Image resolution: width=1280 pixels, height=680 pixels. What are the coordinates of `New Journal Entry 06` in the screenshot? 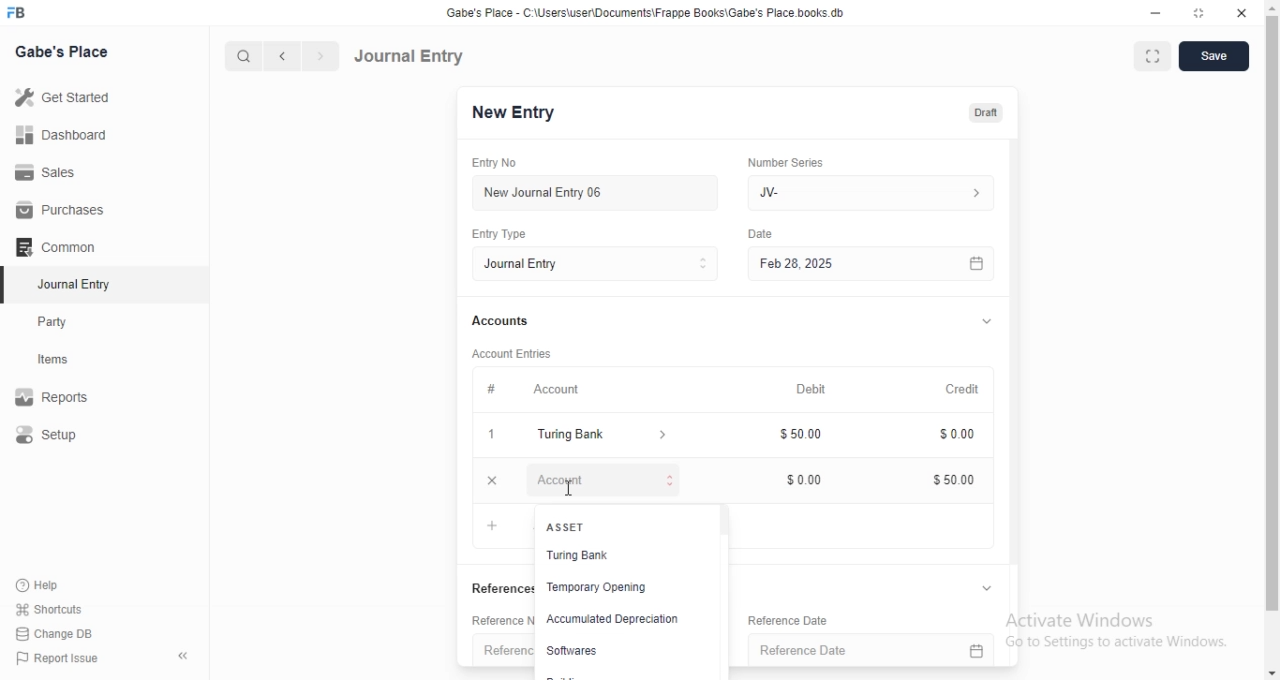 It's located at (597, 191).